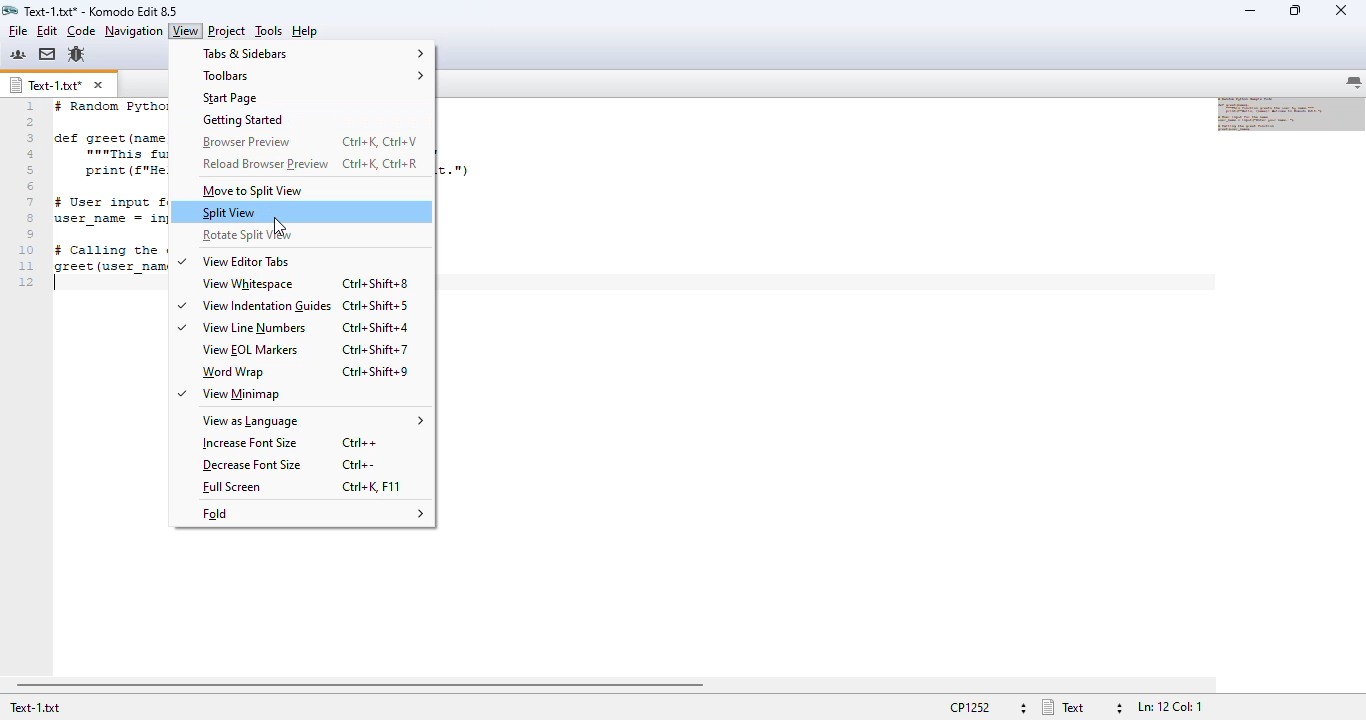 This screenshot has width=1366, height=720. I want to click on shortcut for view indentation guides, so click(376, 306).